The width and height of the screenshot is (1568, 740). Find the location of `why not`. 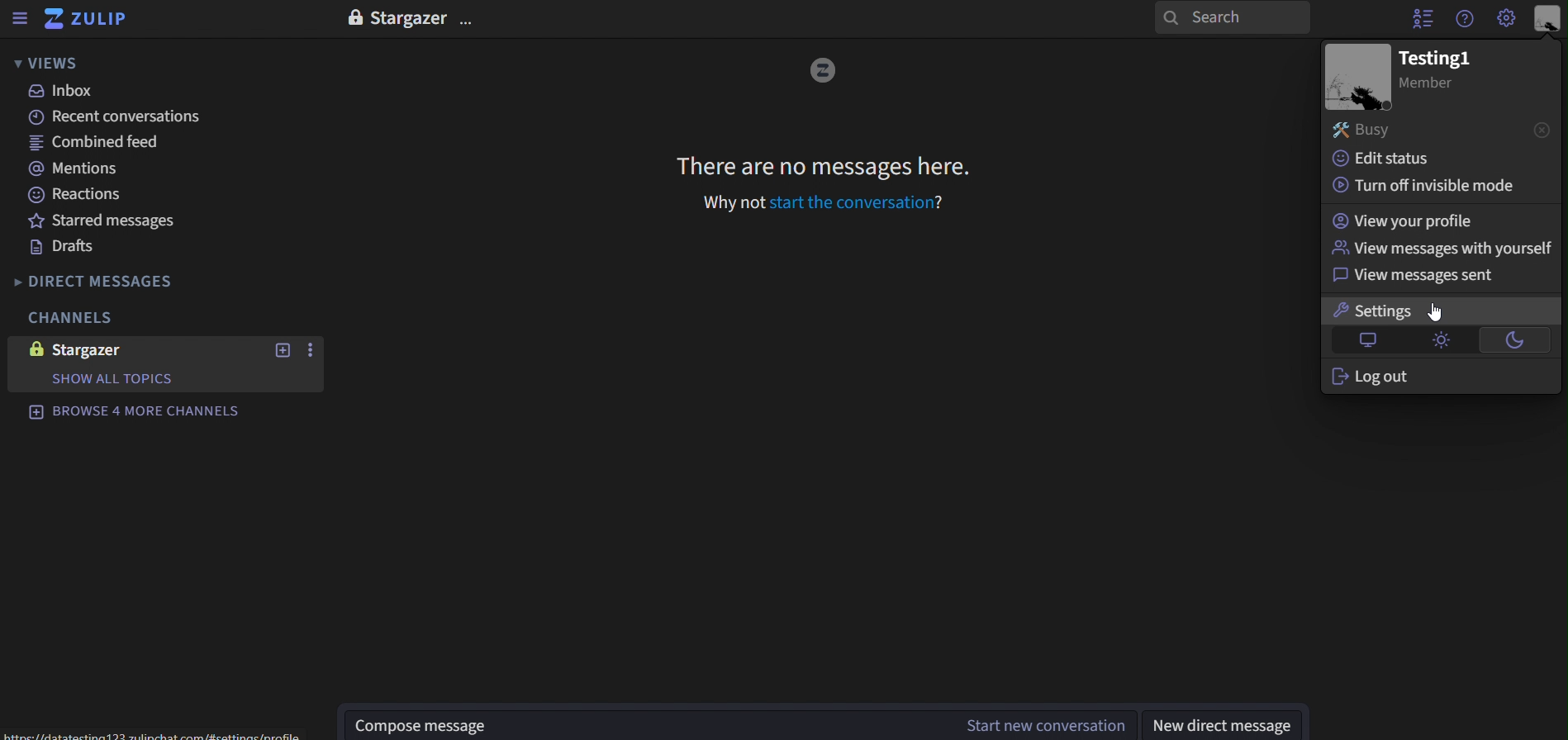

why not is located at coordinates (731, 203).